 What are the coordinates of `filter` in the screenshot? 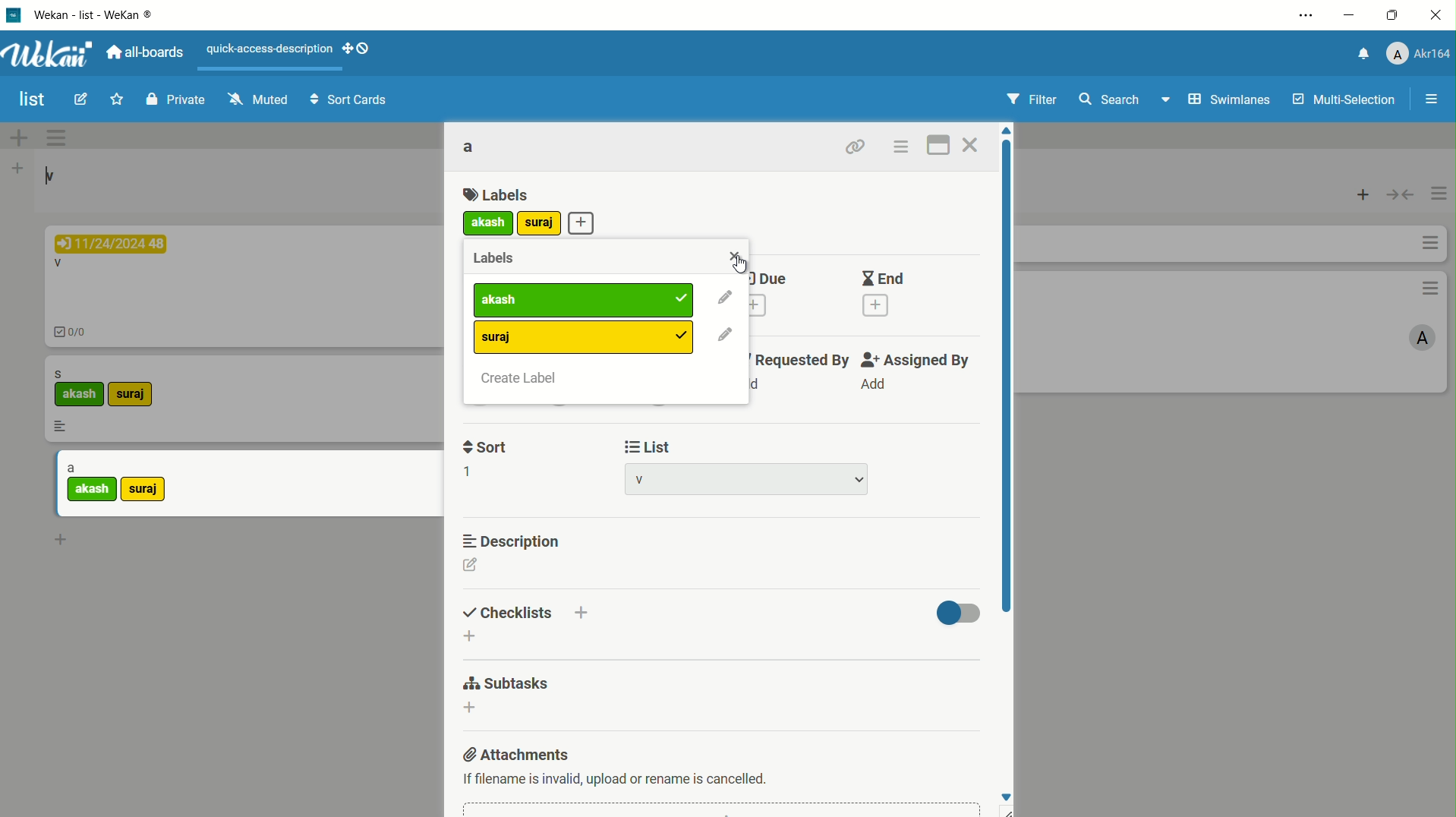 It's located at (1029, 100).